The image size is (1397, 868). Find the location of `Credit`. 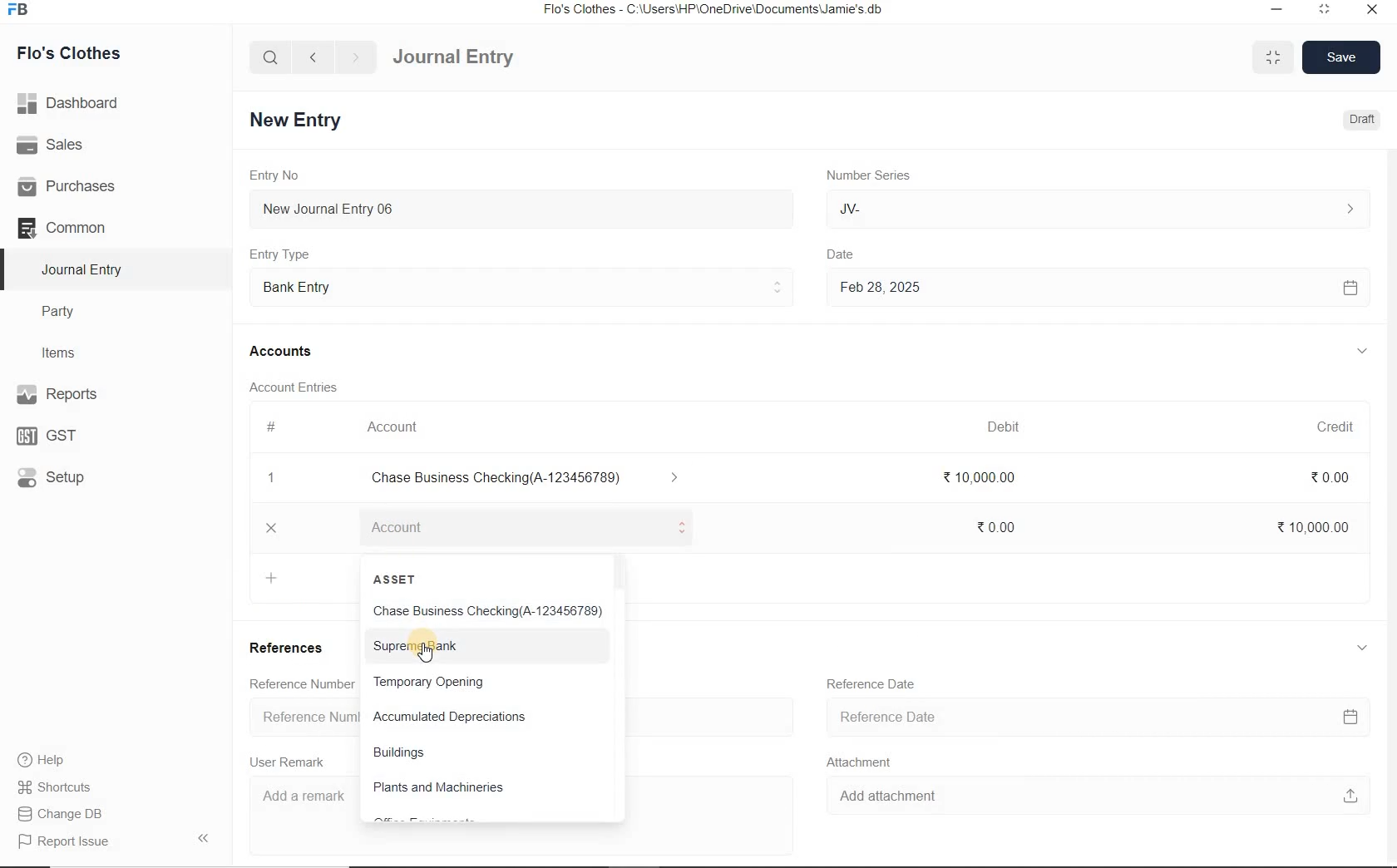

Credit is located at coordinates (1325, 424).